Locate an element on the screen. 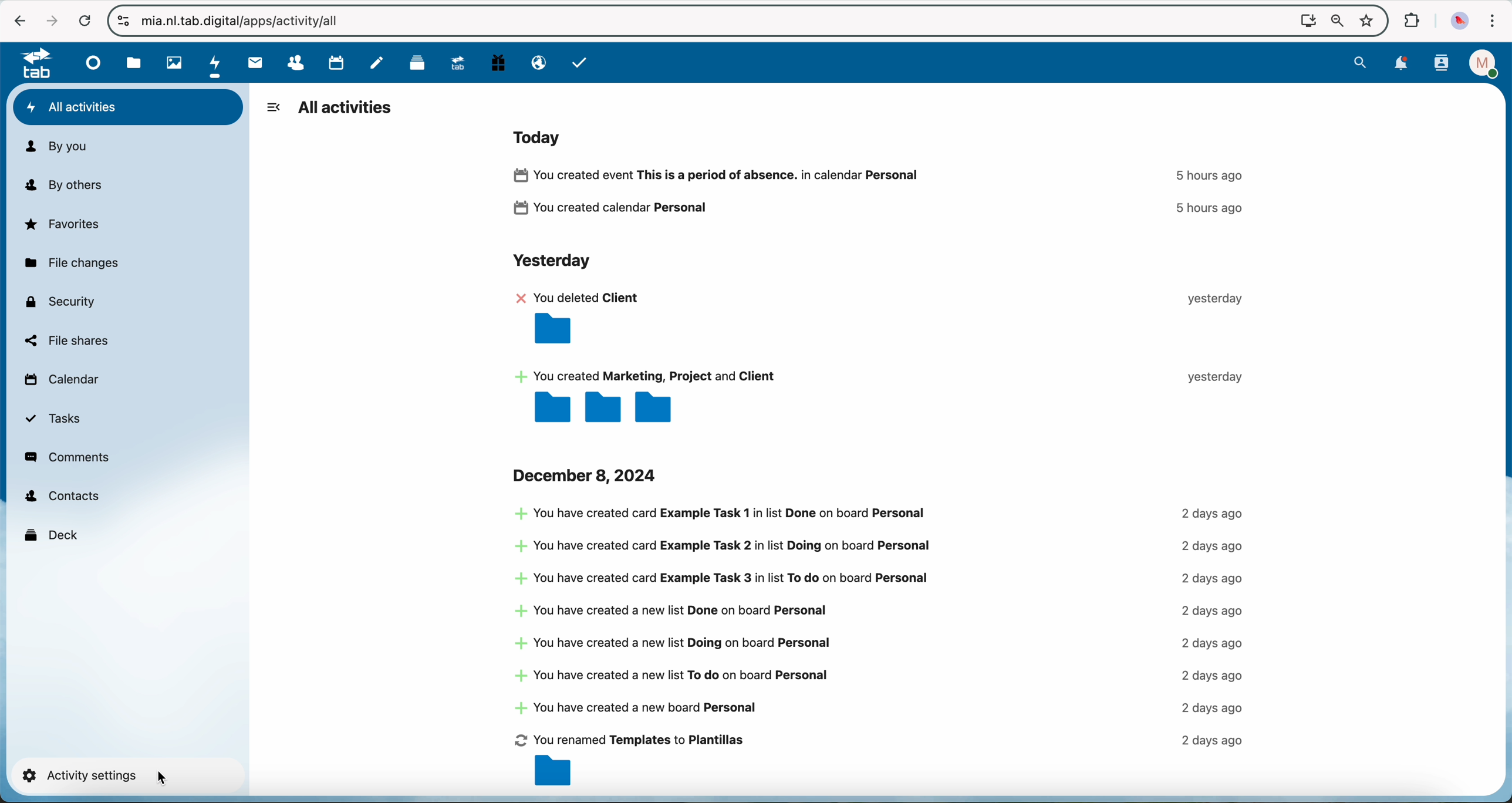 This screenshot has height=803, width=1512. tasks is located at coordinates (580, 62).